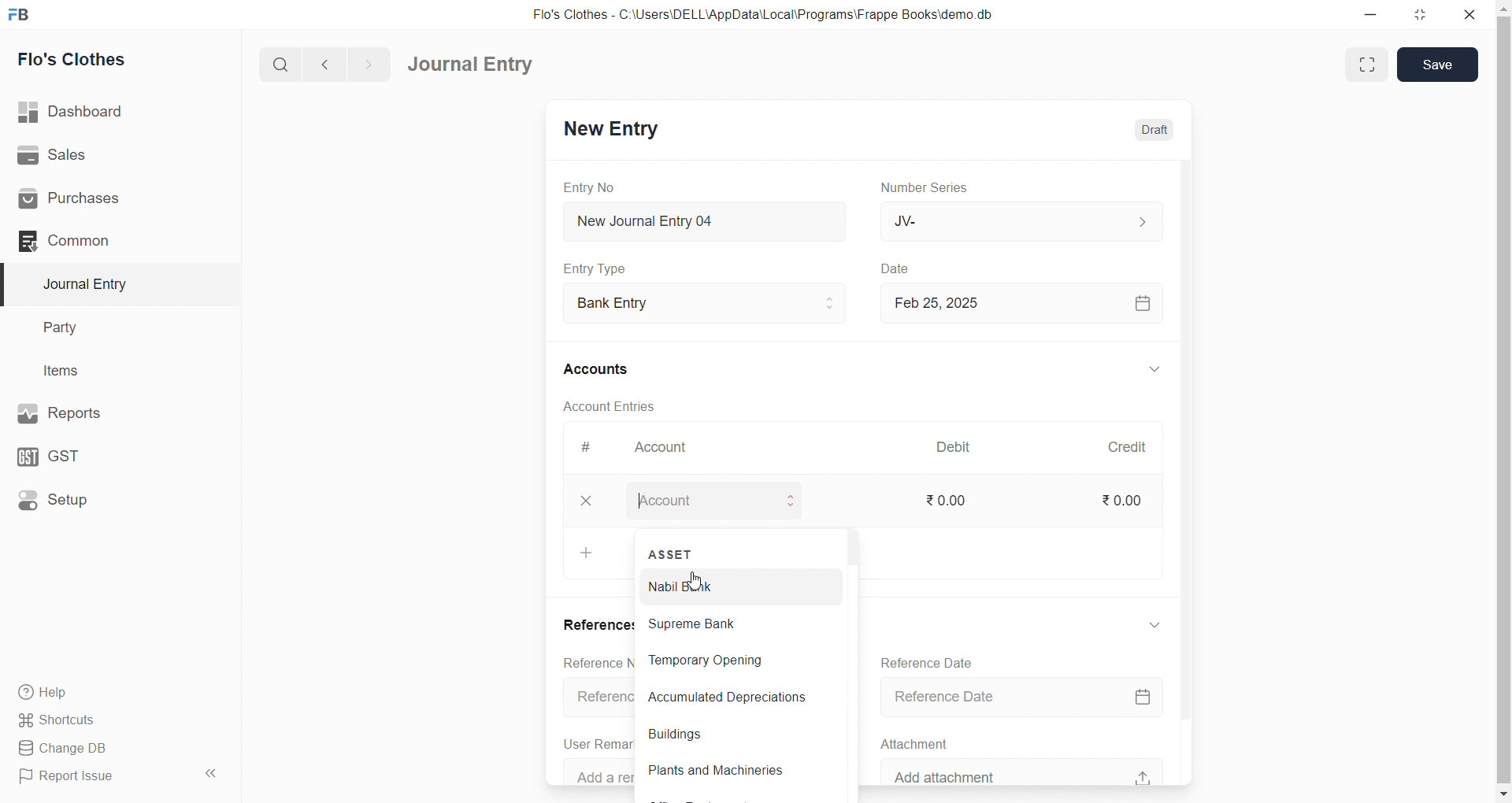  I want to click on Common, so click(106, 240).